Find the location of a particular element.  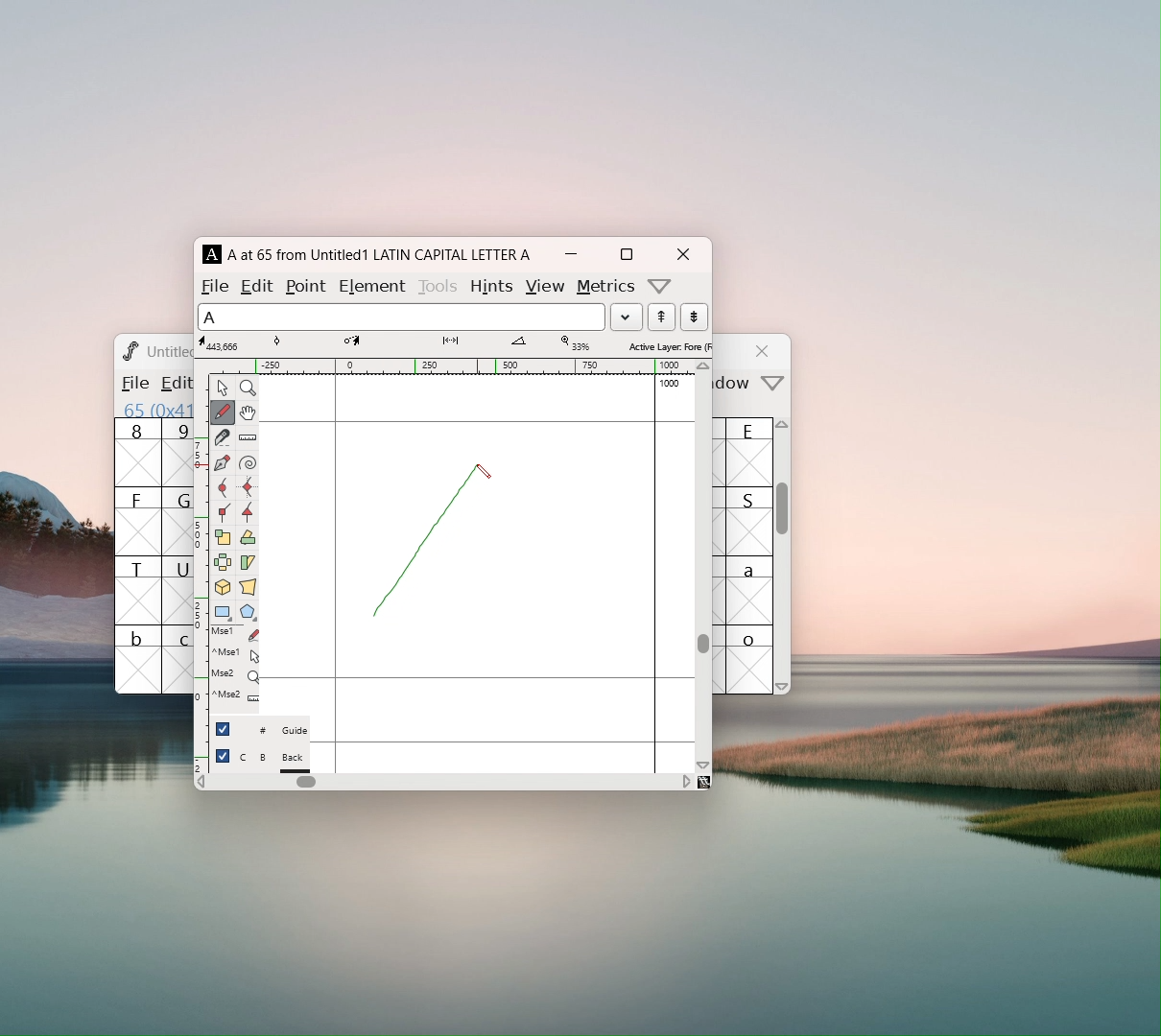

cursor coordinates is located at coordinates (222, 343).